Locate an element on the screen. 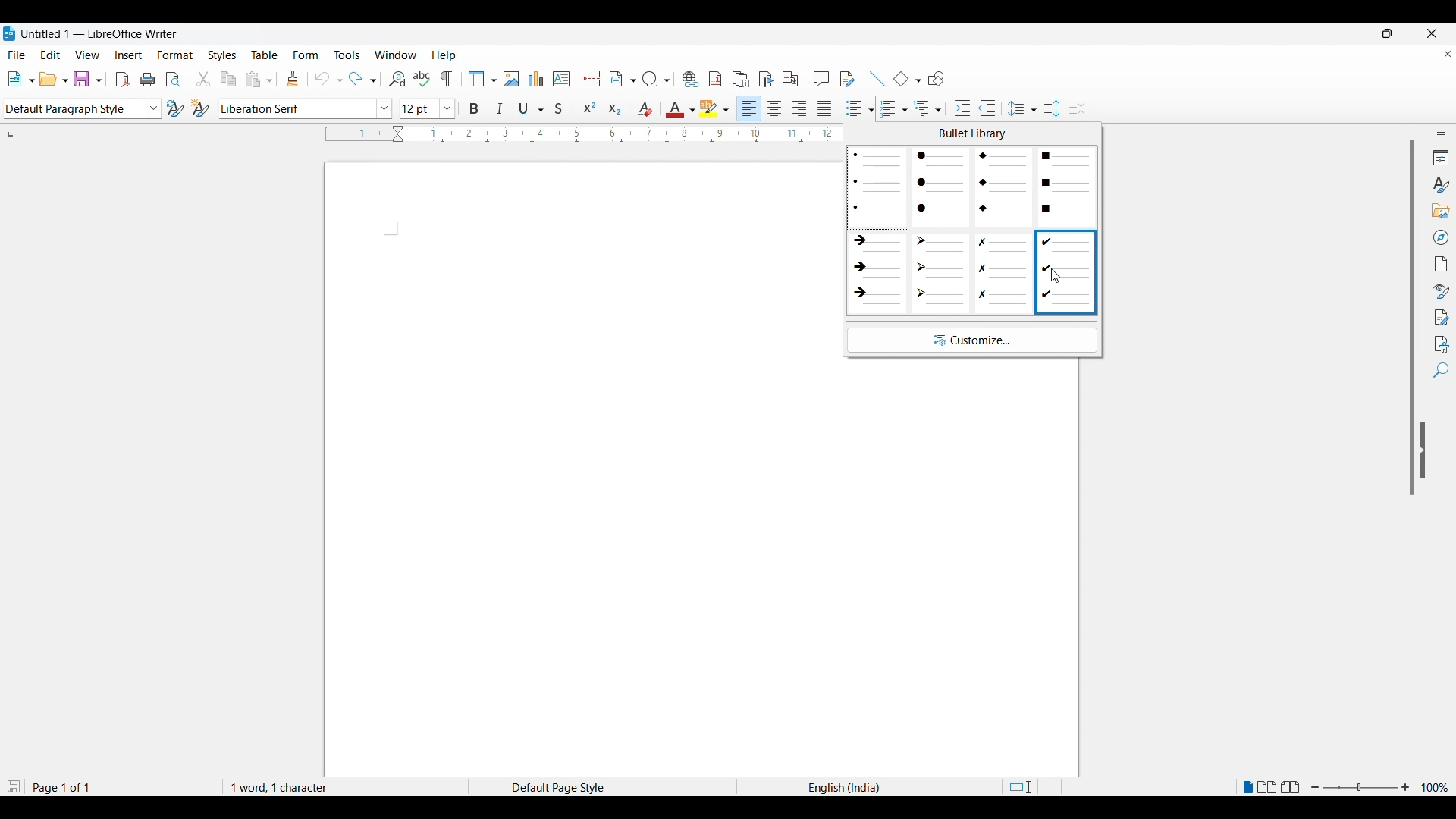 The image size is (1456, 819). Window is located at coordinates (396, 53).